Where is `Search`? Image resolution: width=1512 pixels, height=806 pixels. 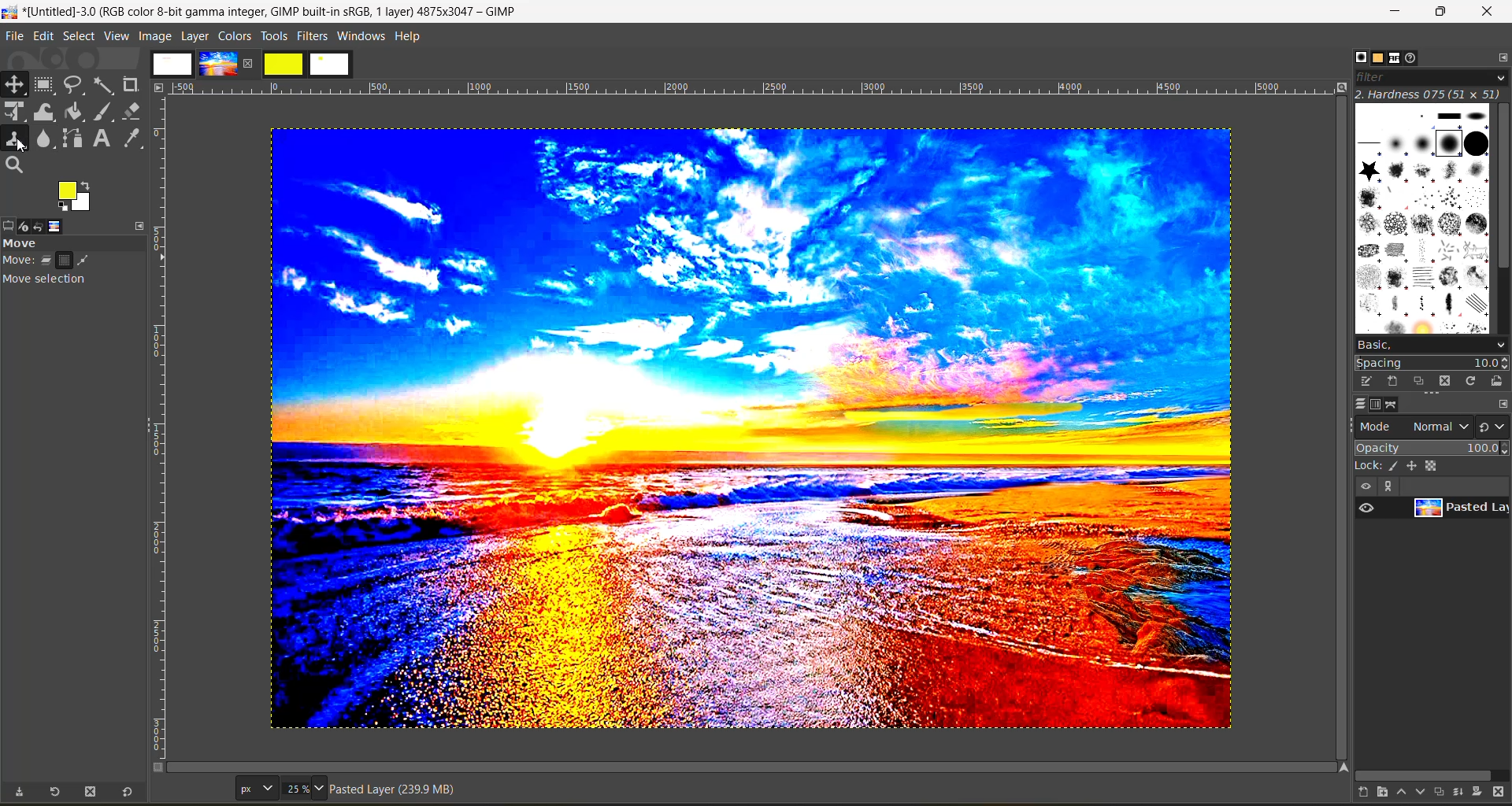
Search is located at coordinates (15, 165).